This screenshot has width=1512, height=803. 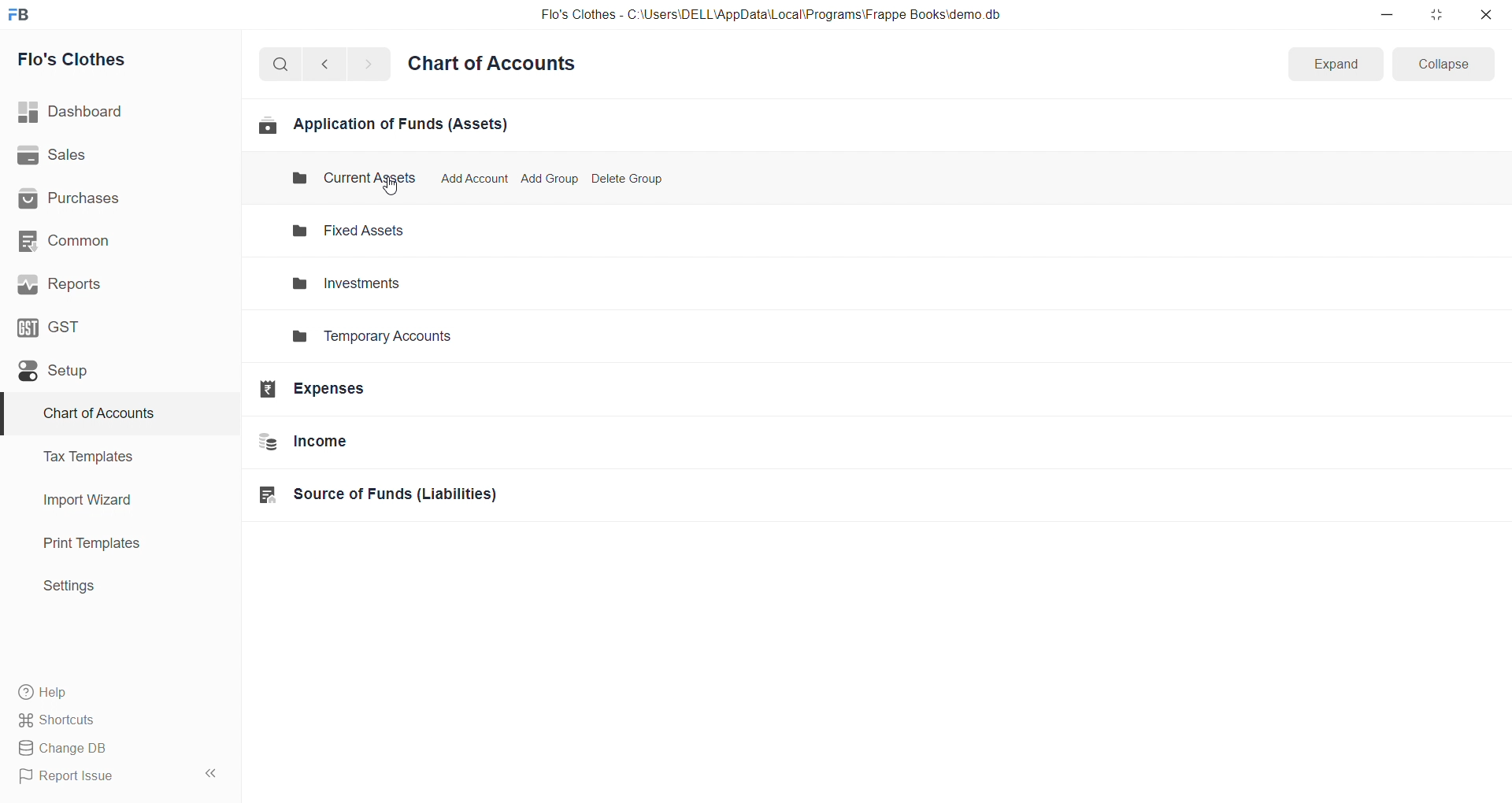 What do you see at coordinates (115, 719) in the screenshot?
I see `Shortcuts` at bounding box center [115, 719].